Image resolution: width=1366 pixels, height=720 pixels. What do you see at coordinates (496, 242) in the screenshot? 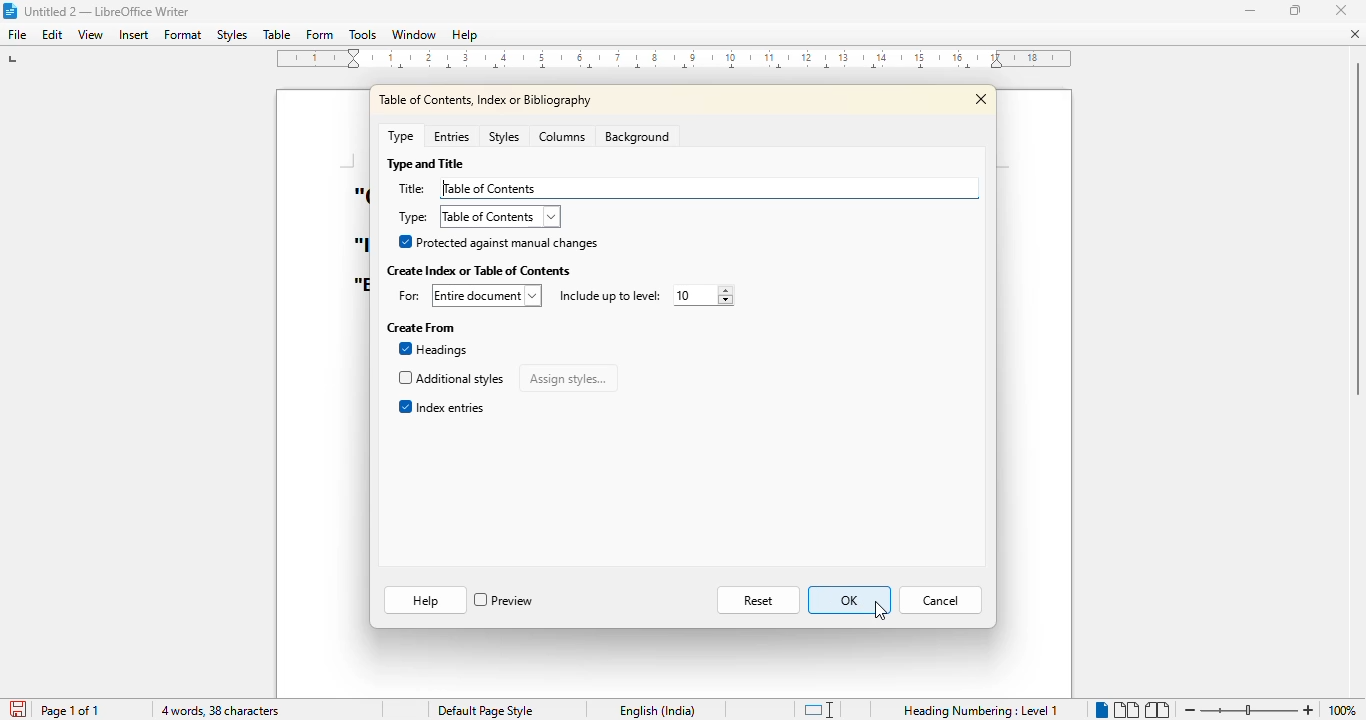
I see `protected against manual changes` at bounding box center [496, 242].